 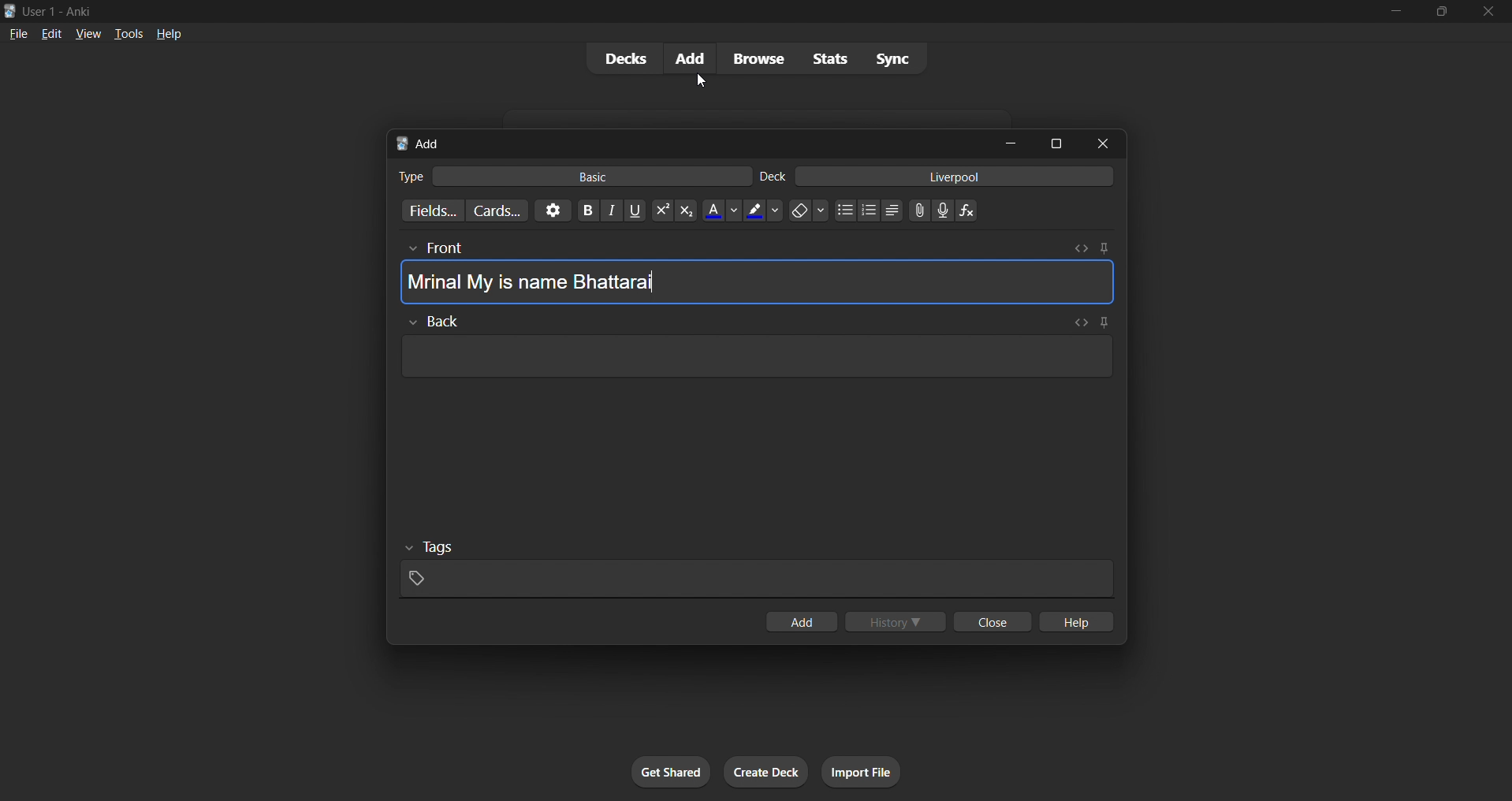 What do you see at coordinates (937, 176) in the screenshot?
I see `liverpool deck input filed` at bounding box center [937, 176].